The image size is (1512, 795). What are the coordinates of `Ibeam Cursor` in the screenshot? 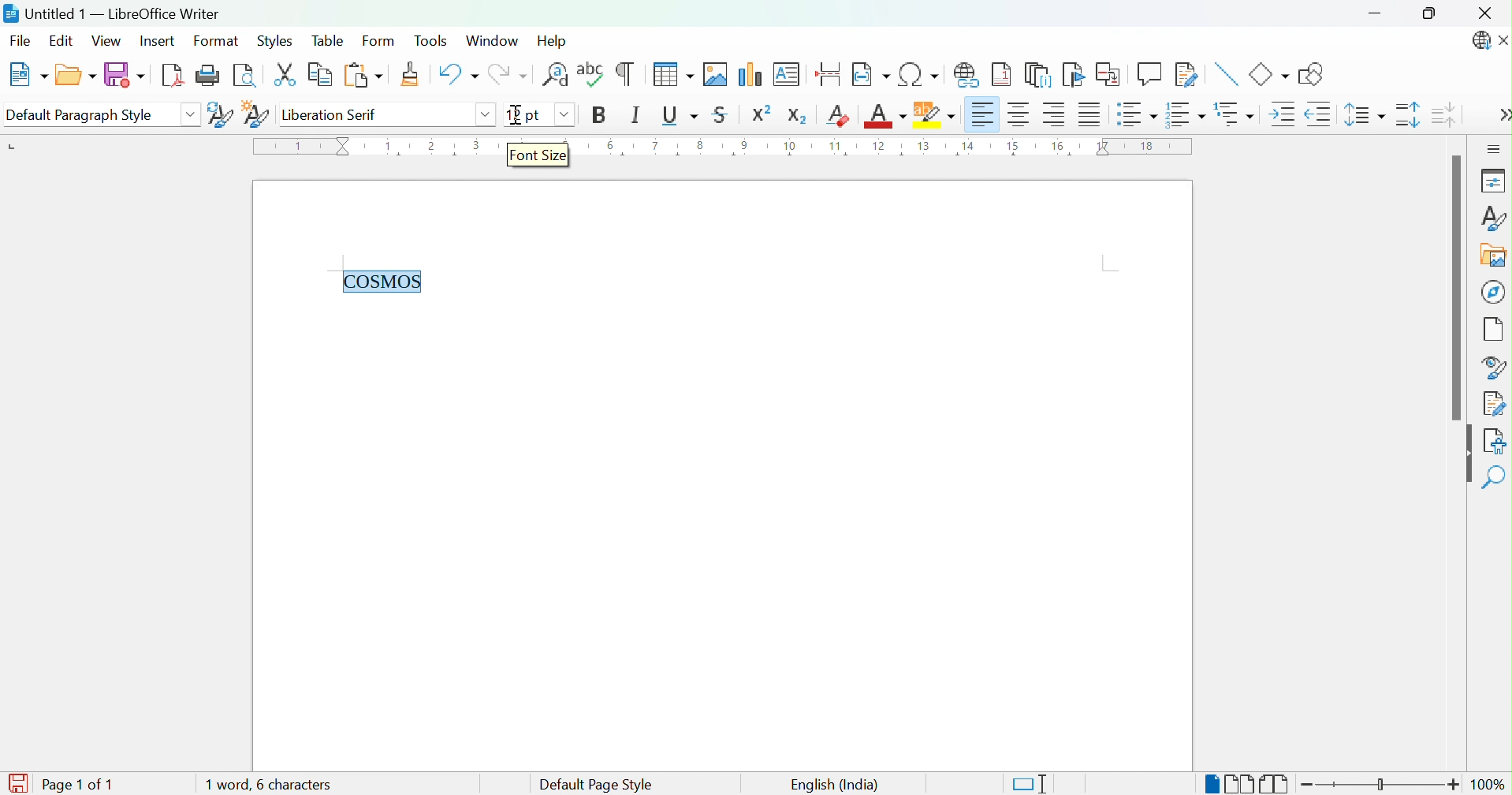 It's located at (517, 114).